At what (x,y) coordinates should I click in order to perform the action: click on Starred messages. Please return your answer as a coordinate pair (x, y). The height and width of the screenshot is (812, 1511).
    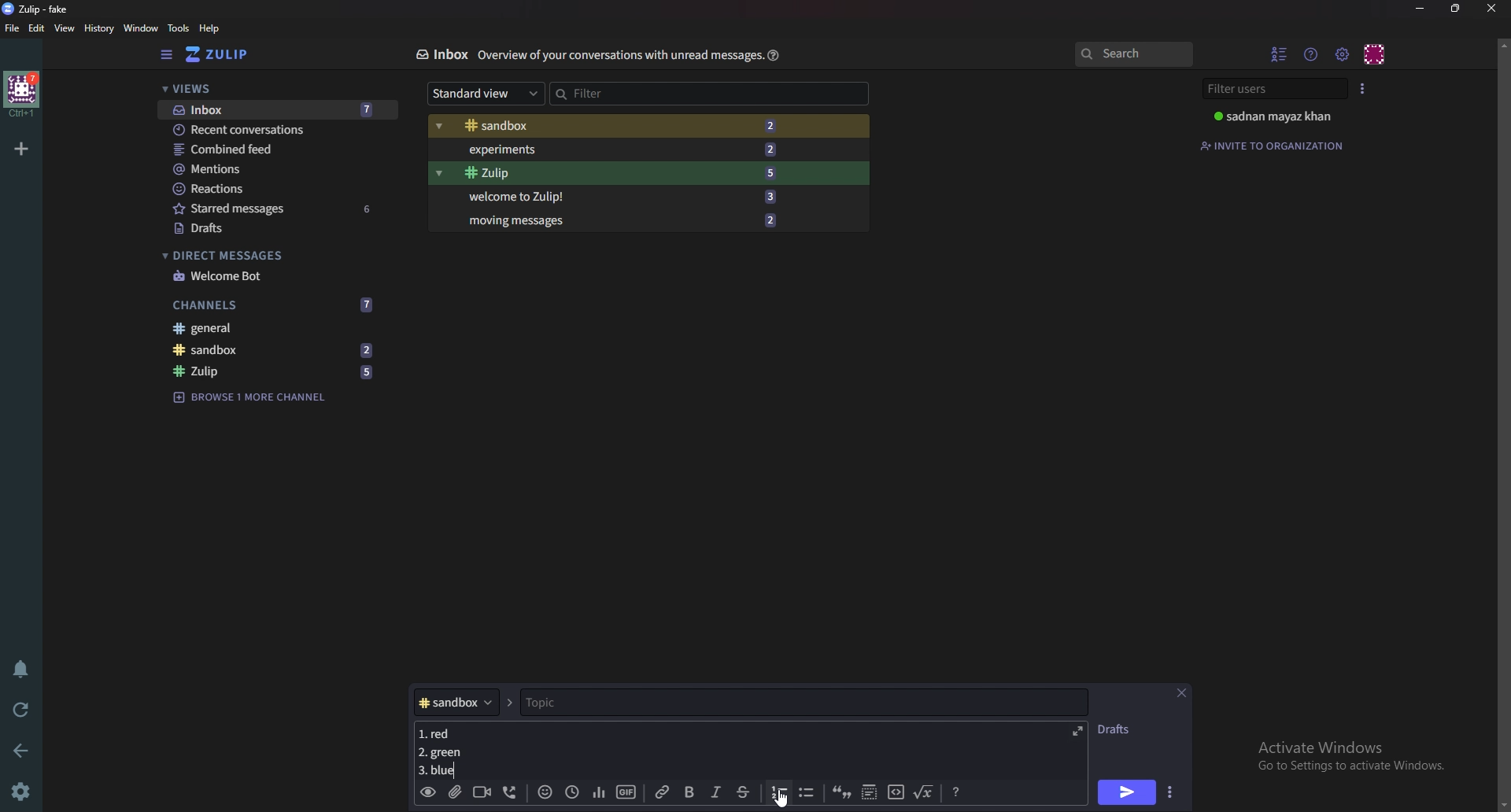
    Looking at the image, I should click on (275, 209).